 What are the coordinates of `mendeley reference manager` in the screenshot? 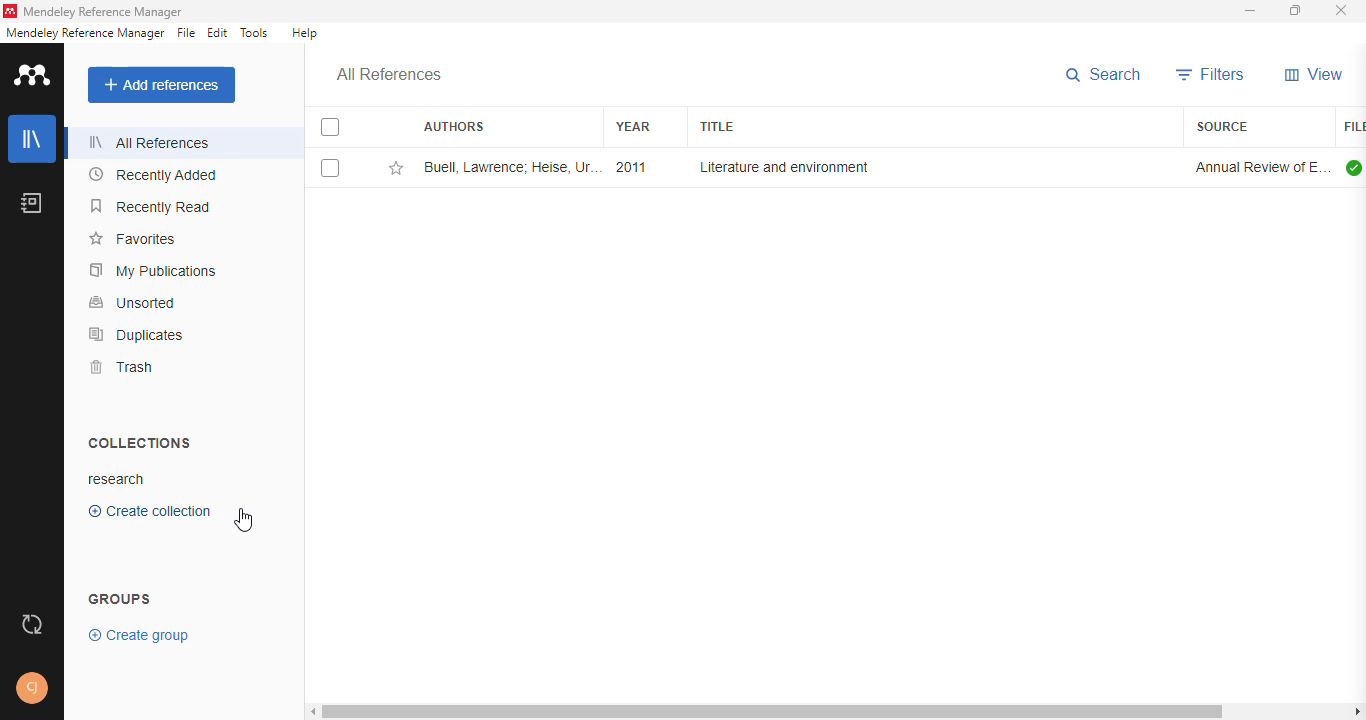 It's located at (85, 33).